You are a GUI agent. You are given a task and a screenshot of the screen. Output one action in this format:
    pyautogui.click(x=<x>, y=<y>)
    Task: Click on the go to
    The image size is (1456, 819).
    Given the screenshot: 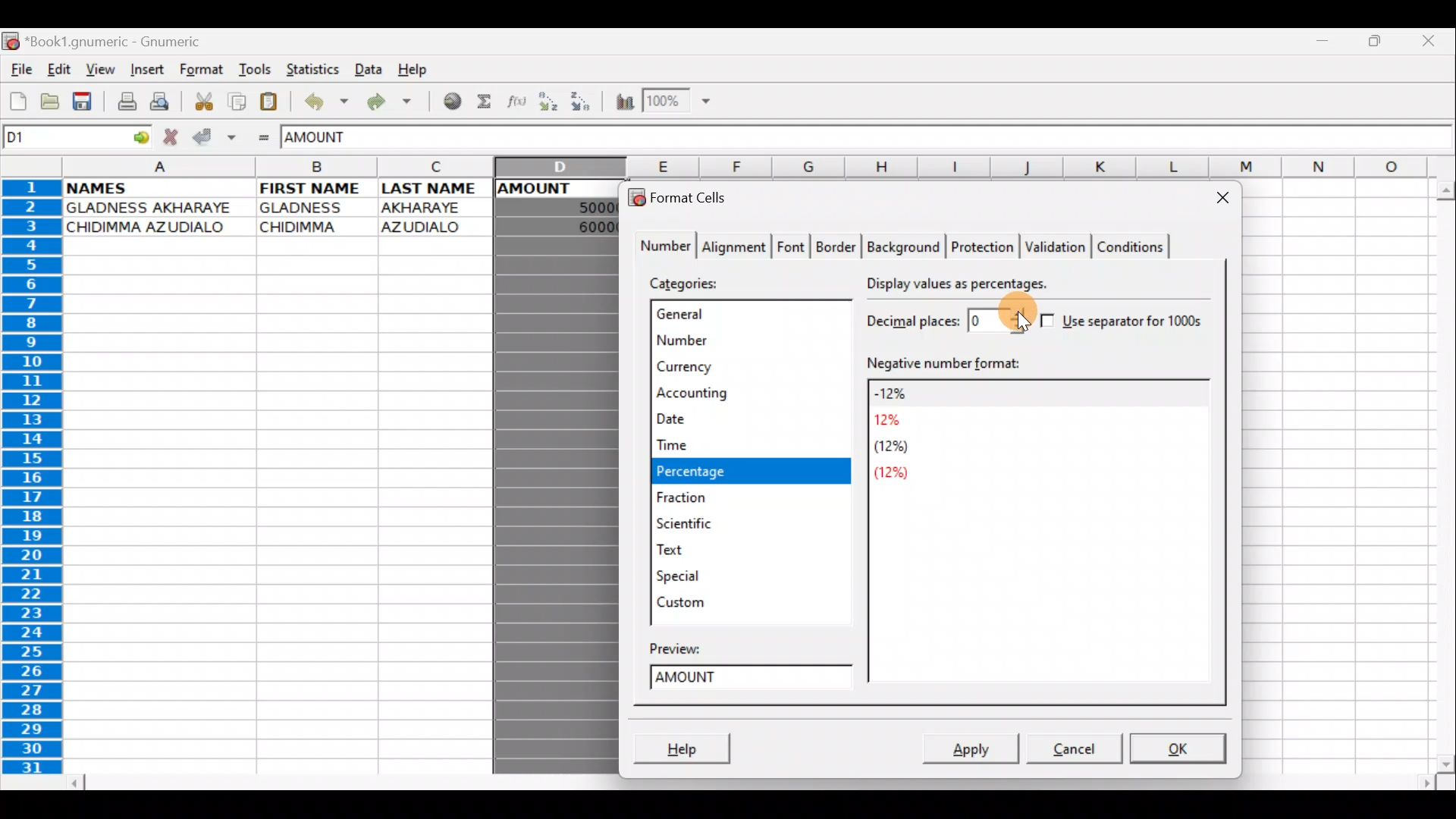 What is the action you would take?
    pyautogui.click(x=144, y=138)
    